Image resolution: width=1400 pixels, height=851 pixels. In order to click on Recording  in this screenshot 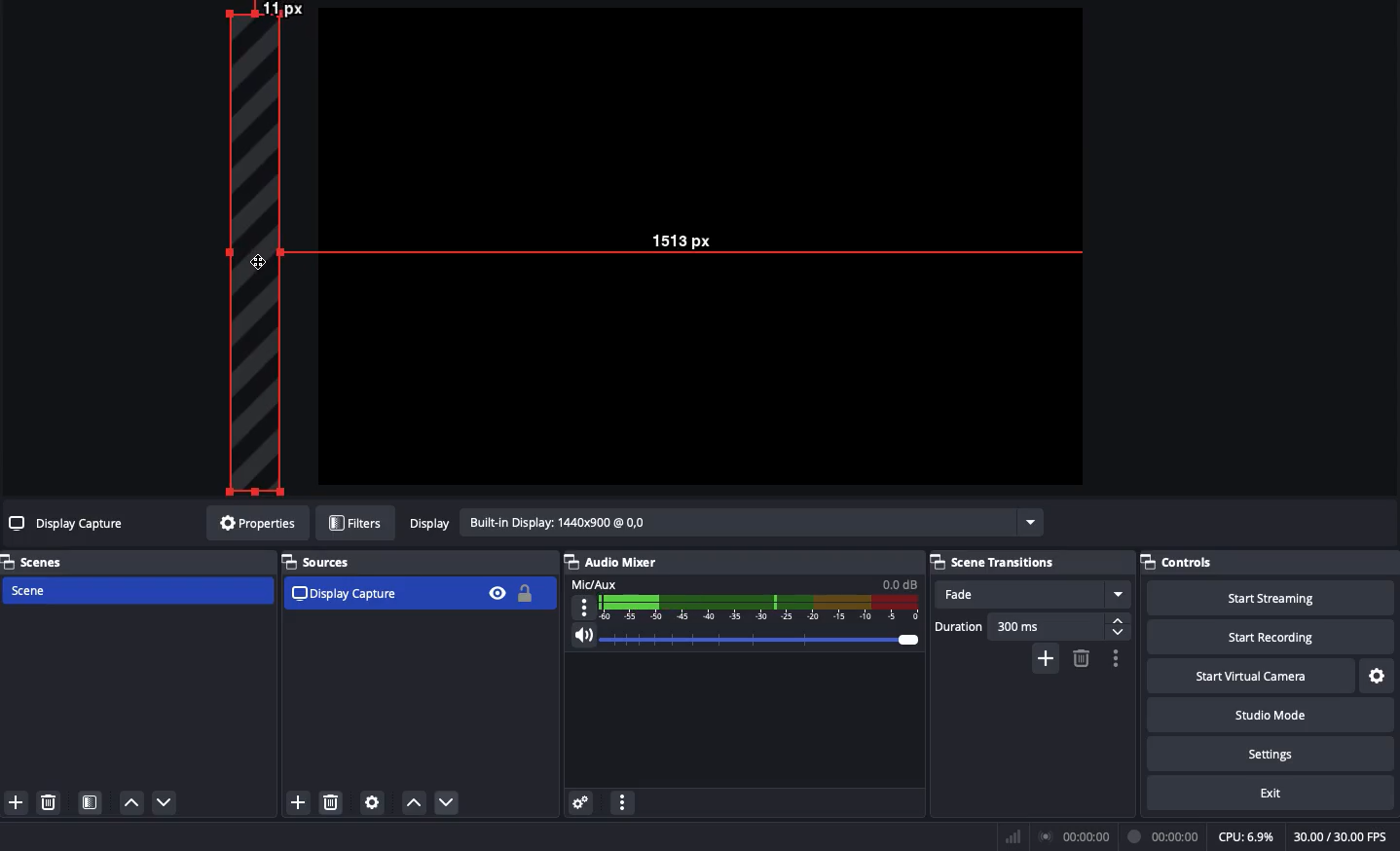, I will do `click(1164, 836)`.